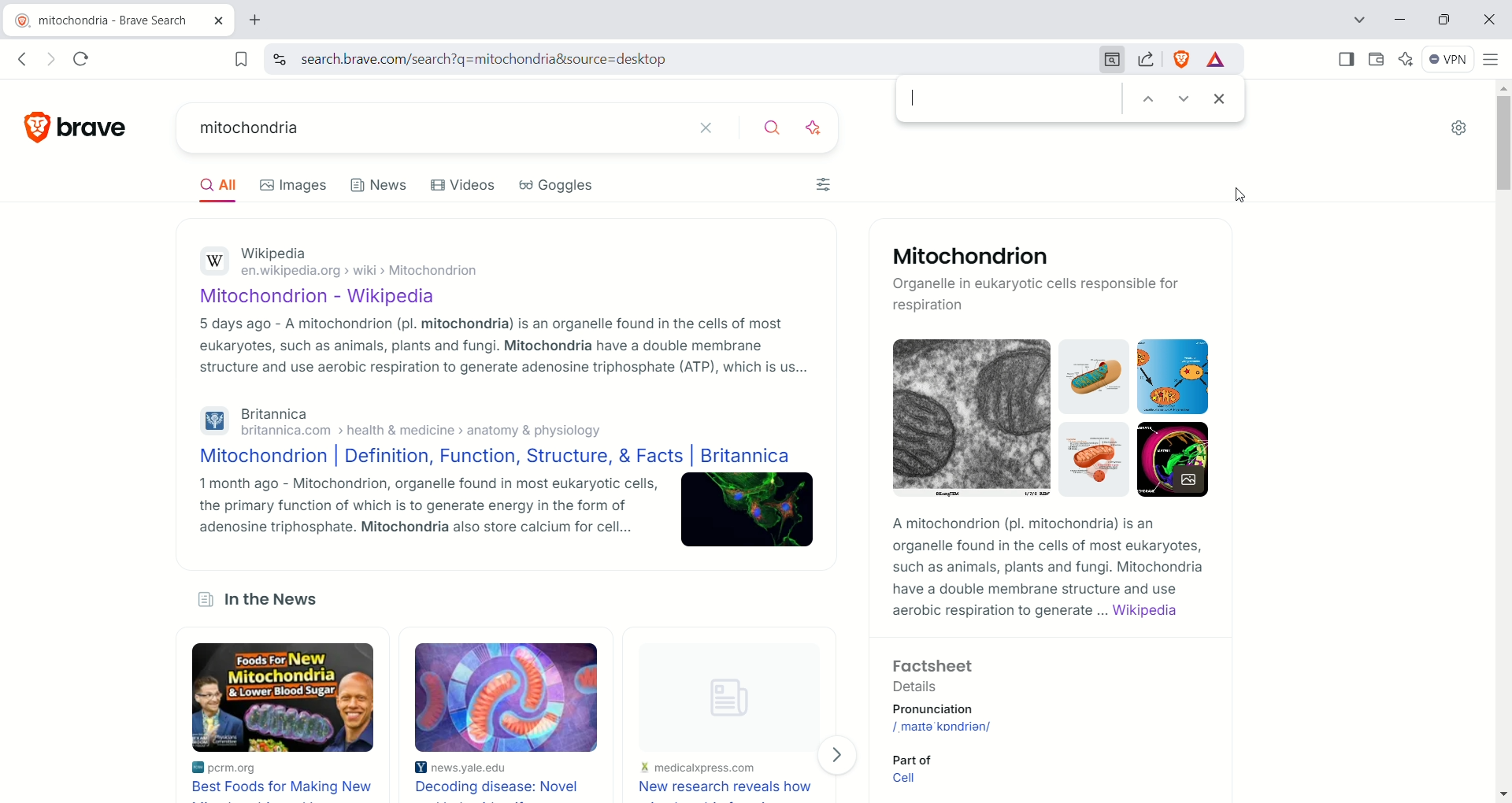 The height and width of the screenshot is (803, 1512). I want to click on close, so click(1490, 18).